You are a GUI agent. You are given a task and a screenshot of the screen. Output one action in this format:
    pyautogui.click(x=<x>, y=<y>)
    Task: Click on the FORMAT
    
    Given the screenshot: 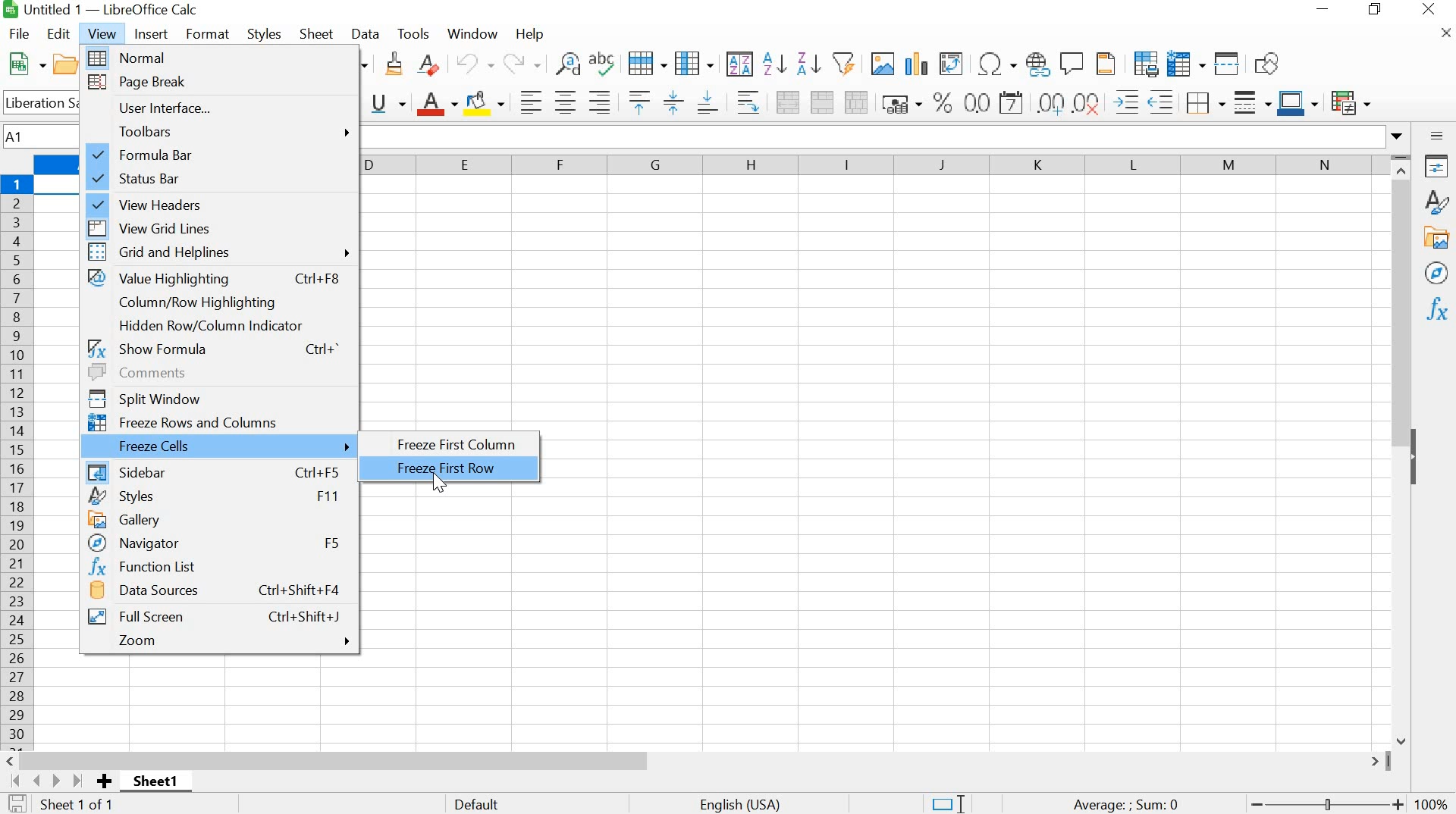 What is the action you would take?
    pyautogui.click(x=209, y=33)
    